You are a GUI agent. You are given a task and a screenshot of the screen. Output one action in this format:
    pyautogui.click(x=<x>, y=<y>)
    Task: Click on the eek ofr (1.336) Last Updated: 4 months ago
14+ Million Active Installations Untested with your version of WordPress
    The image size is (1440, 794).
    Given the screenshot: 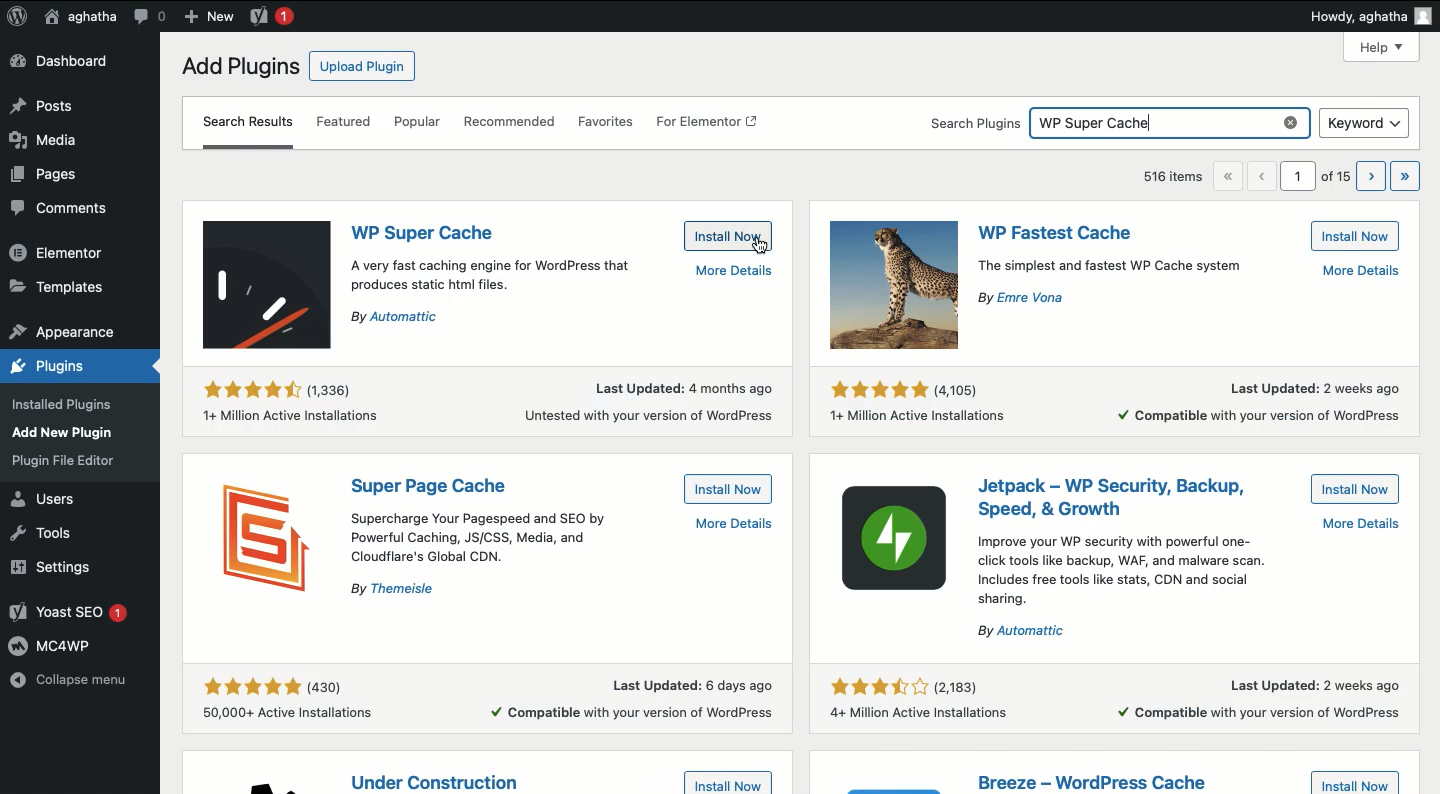 What is the action you would take?
    pyautogui.click(x=488, y=400)
    